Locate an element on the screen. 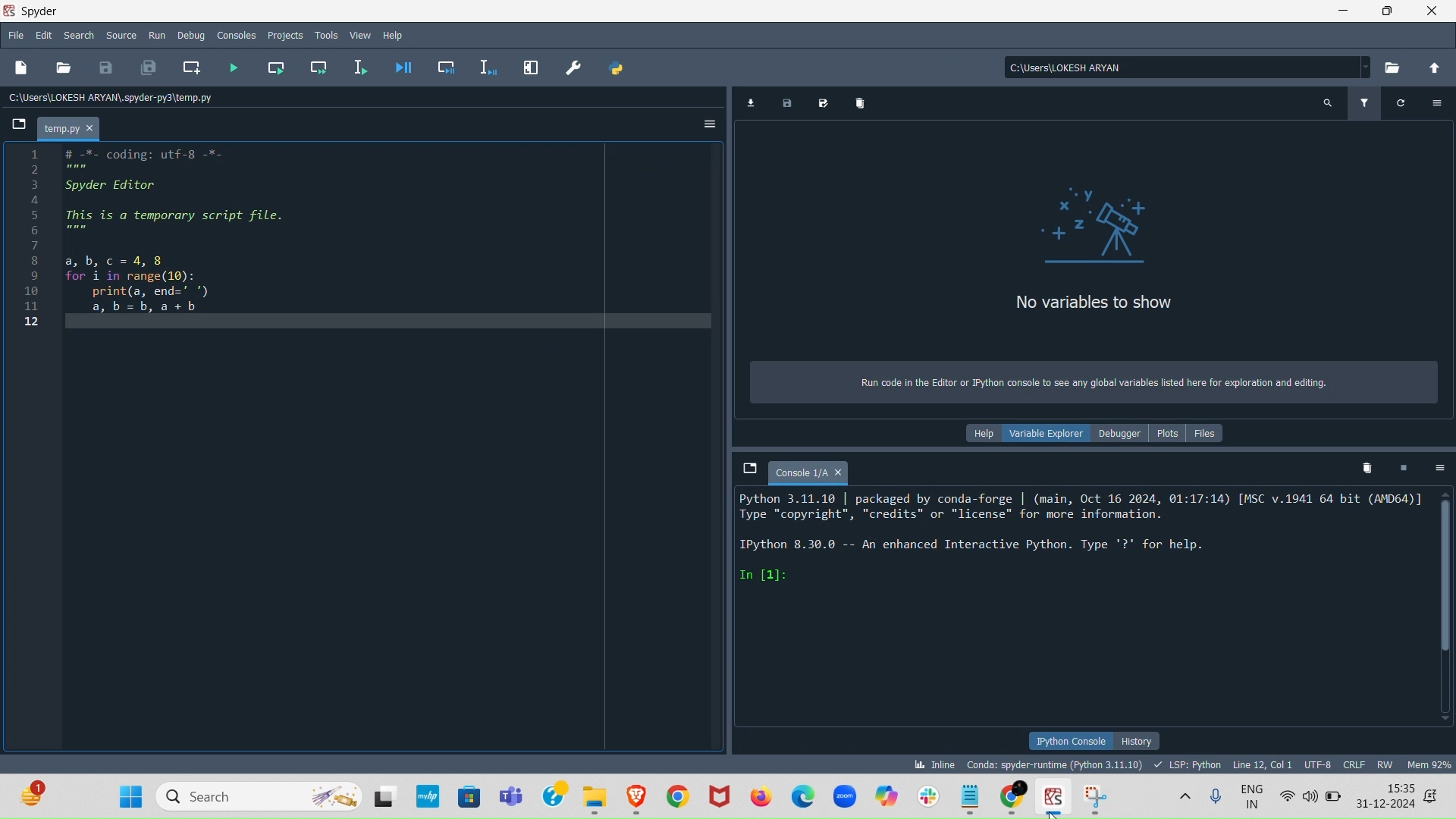 The width and height of the screenshot is (1456, 819). Help is located at coordinates (396, 34).